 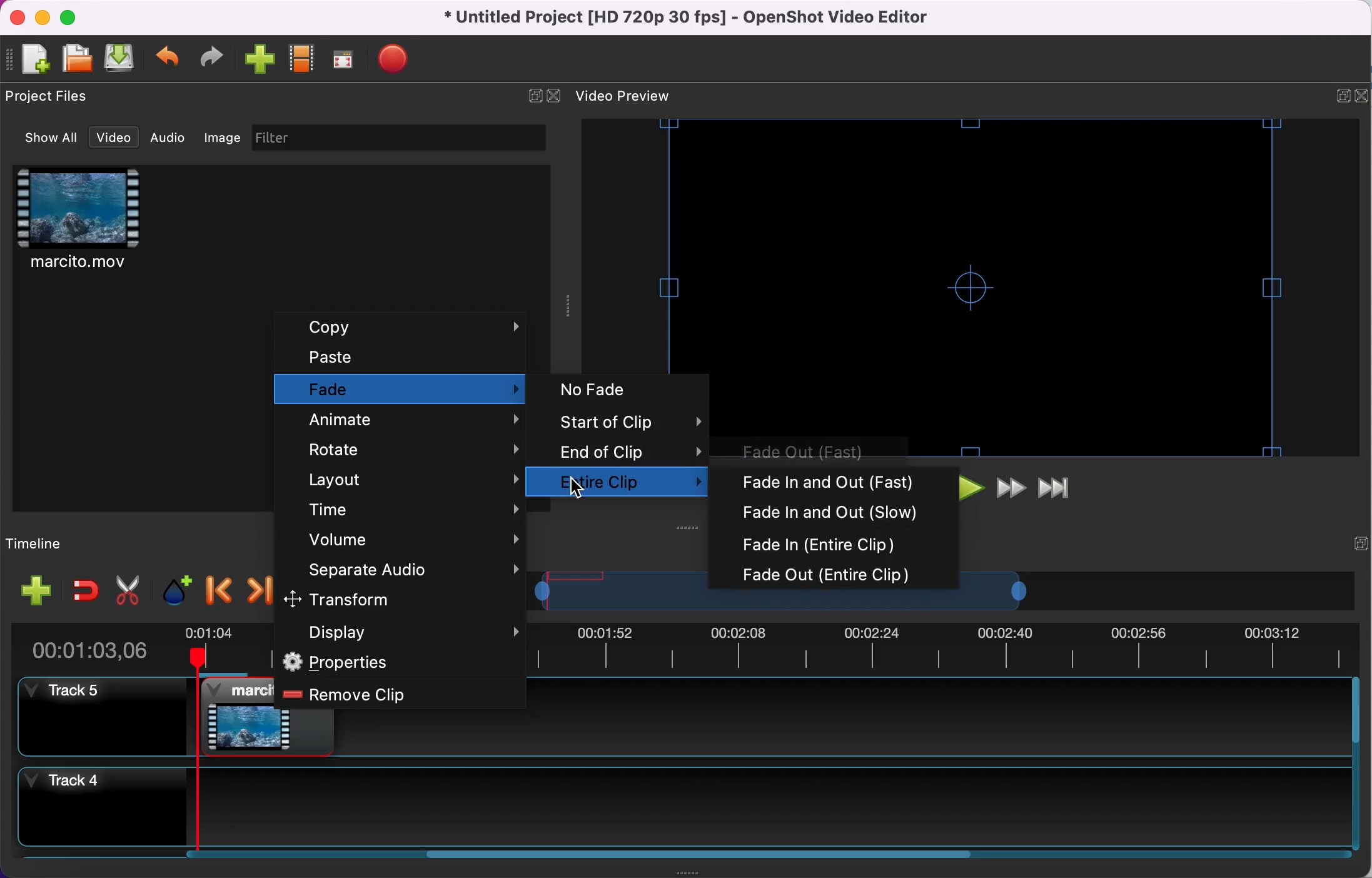 I want to click on choose profile, so click(x=302, y=60).